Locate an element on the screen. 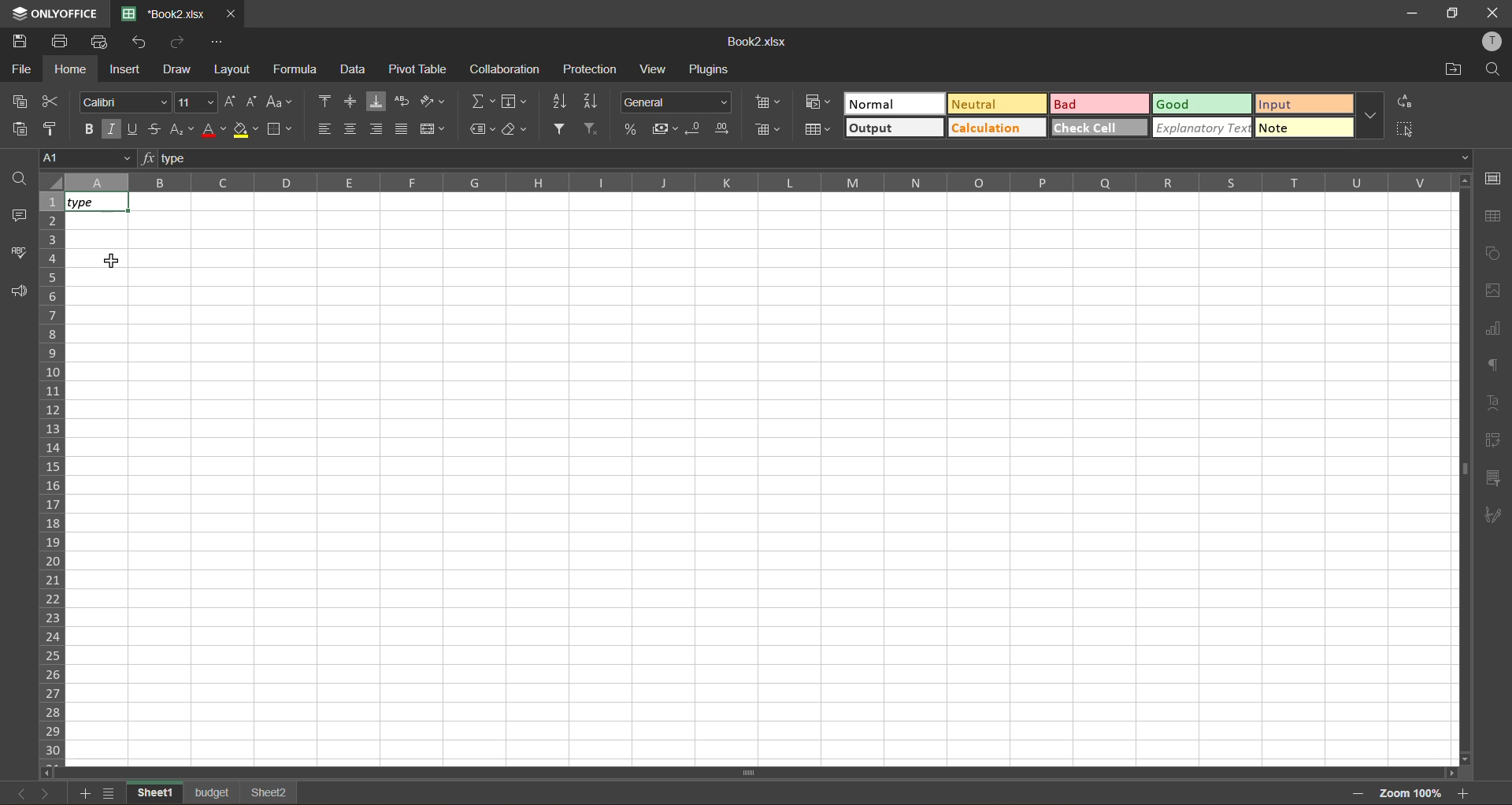  italic font enabled is located at coordinates (113, 129).